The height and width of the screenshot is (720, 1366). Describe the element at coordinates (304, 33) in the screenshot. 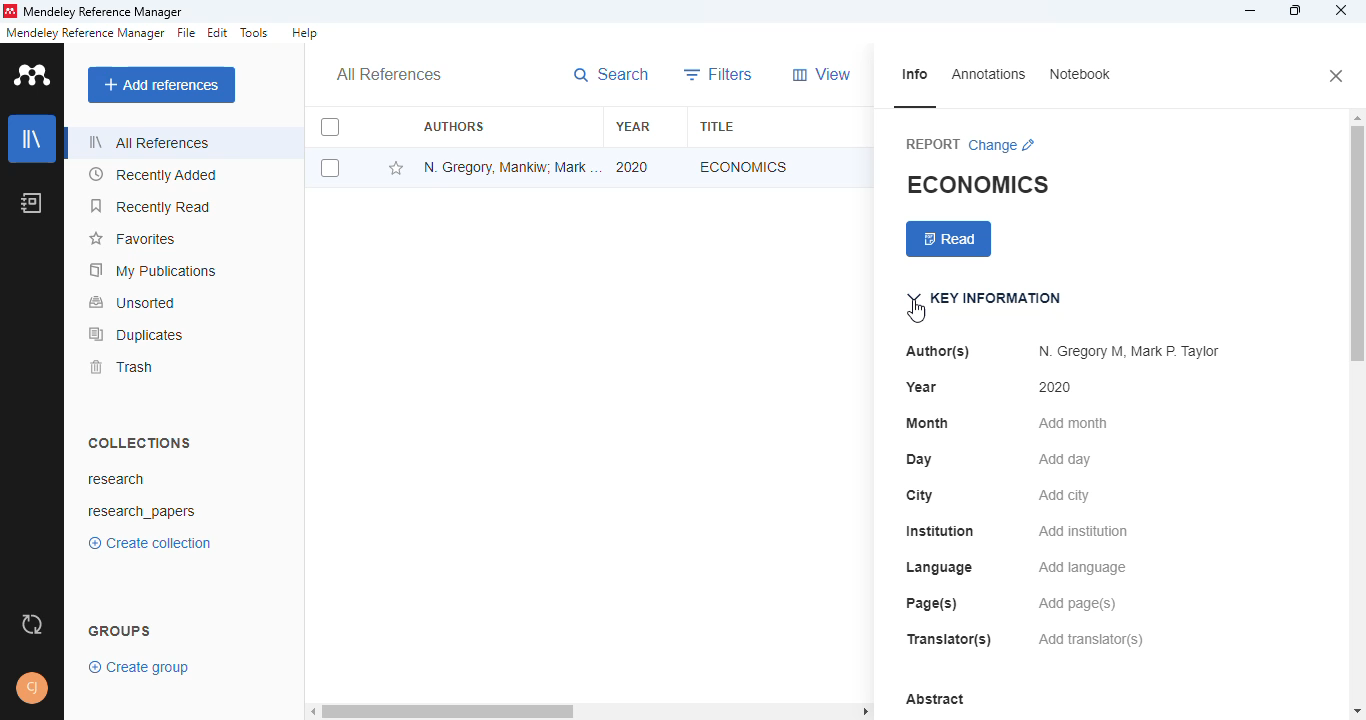

I see `help` at that location.